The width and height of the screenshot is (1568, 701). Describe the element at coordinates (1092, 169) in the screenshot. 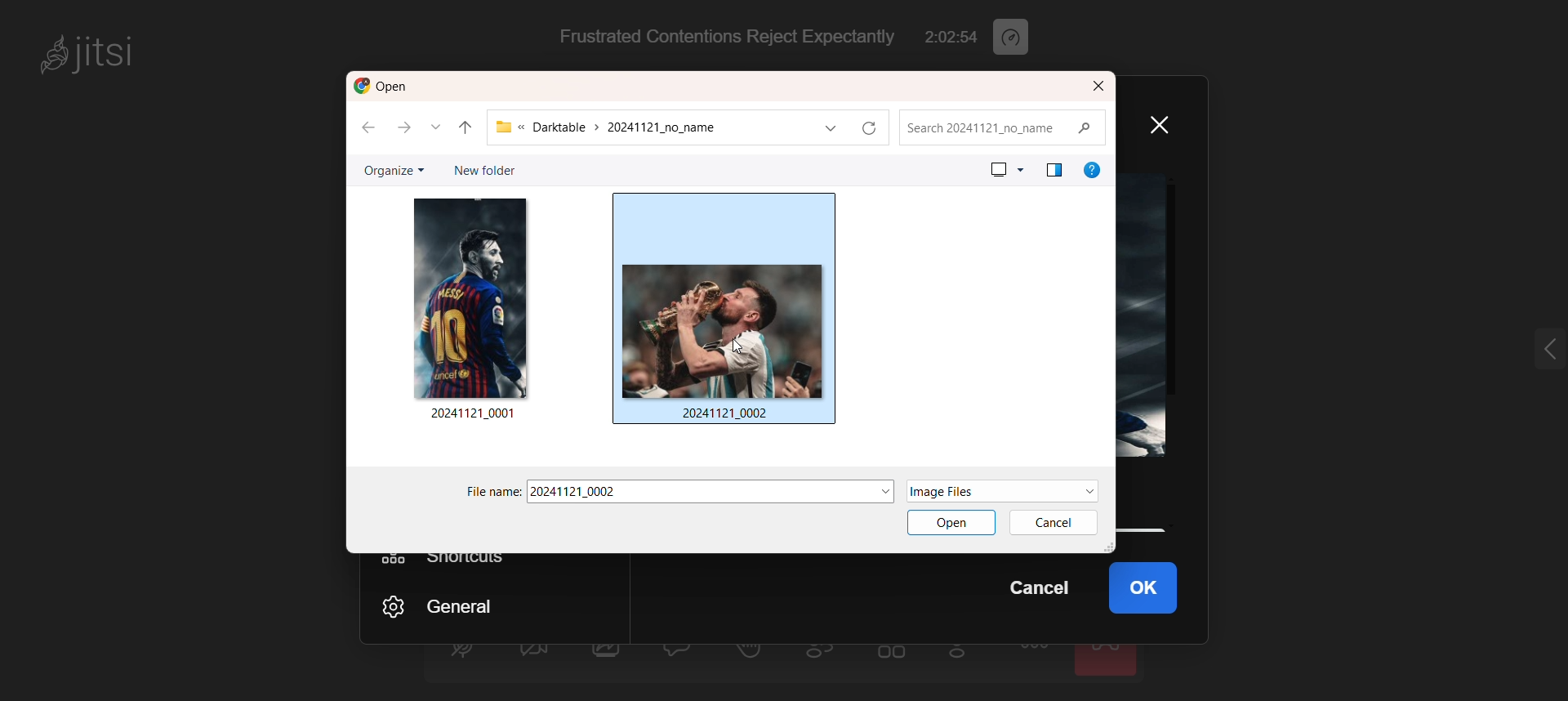

I see `help` at that location.